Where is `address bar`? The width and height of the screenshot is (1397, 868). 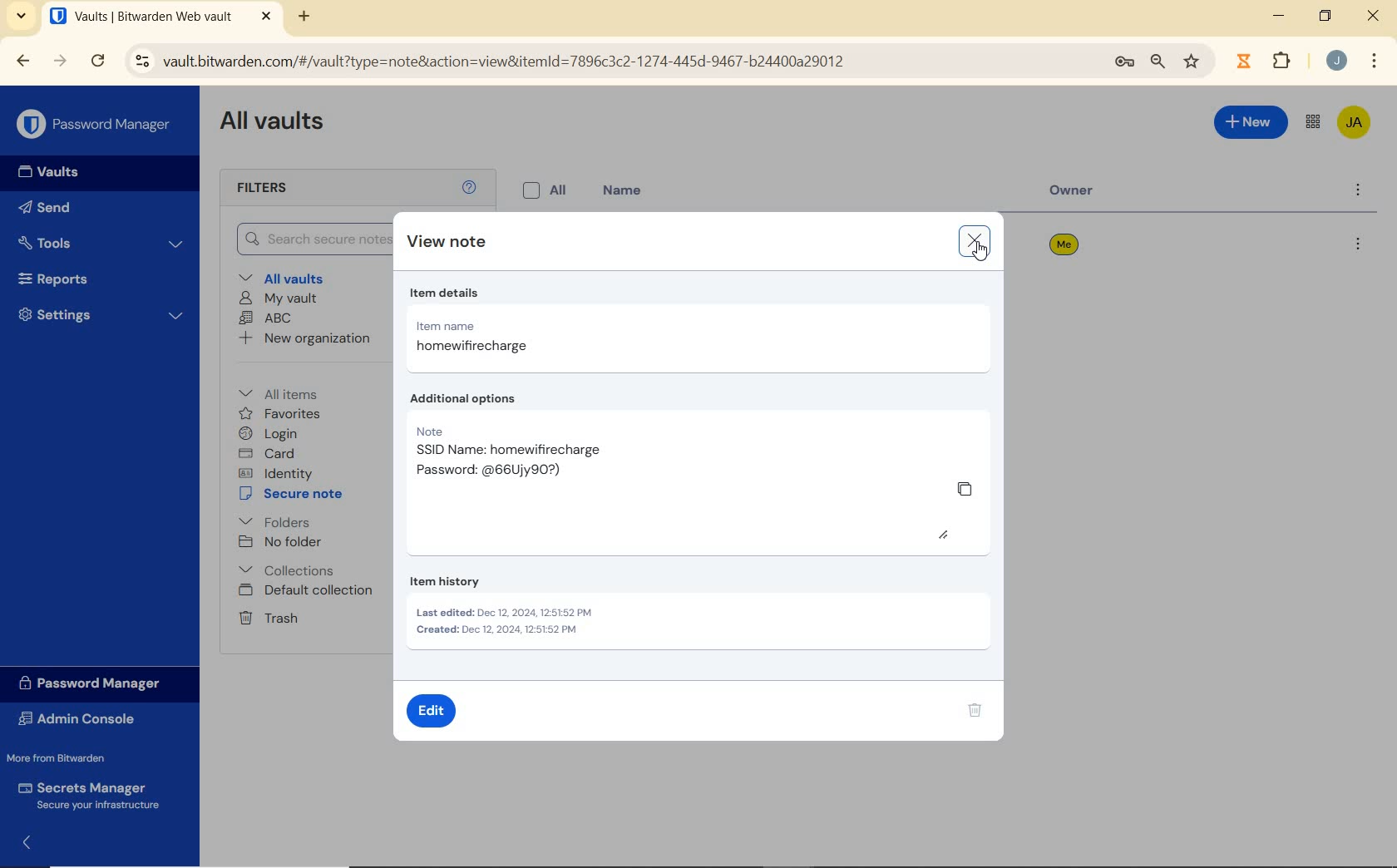
address bar is located at coordinates (607, 62).